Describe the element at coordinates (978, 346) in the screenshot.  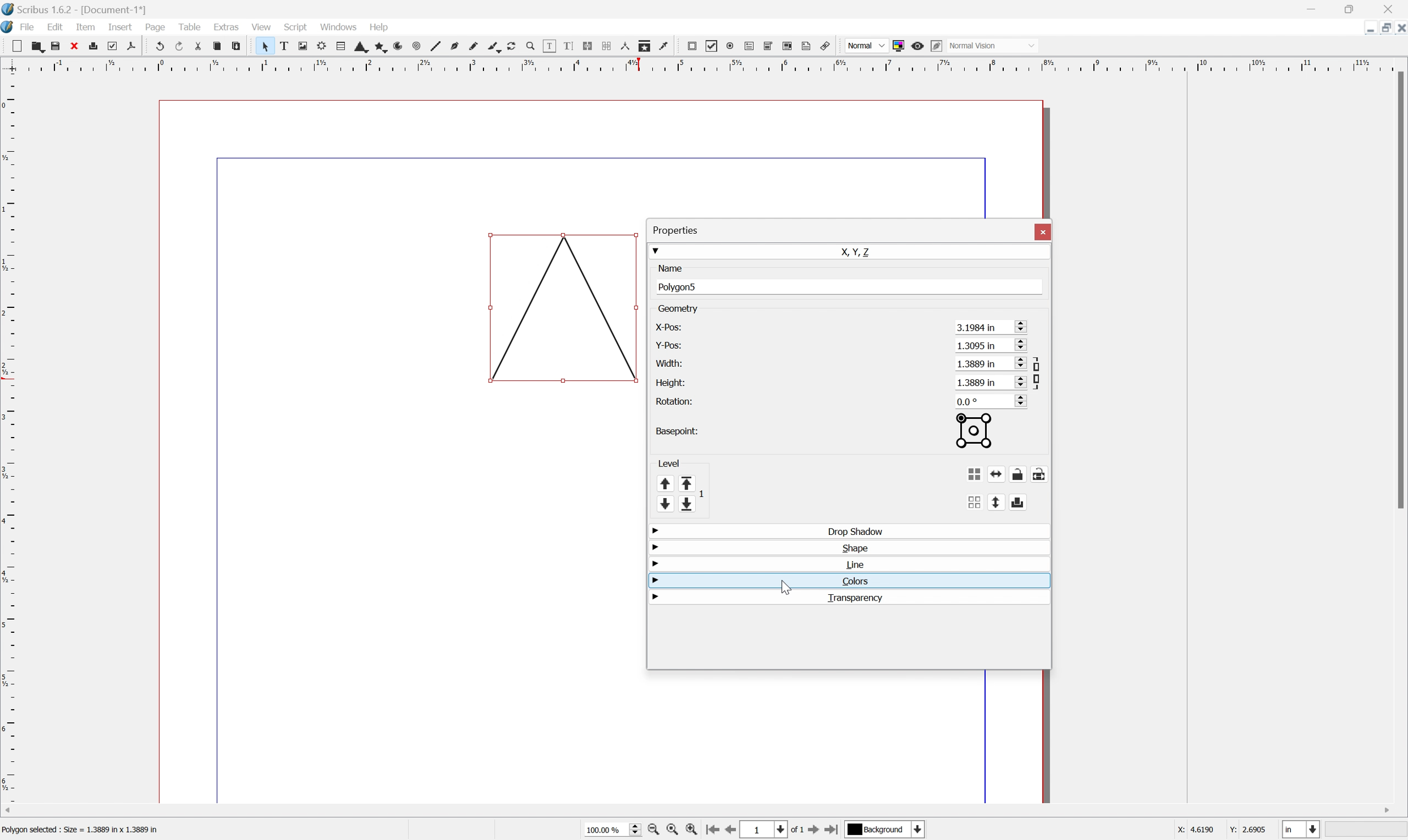
I see `1.3095 in` at that location.